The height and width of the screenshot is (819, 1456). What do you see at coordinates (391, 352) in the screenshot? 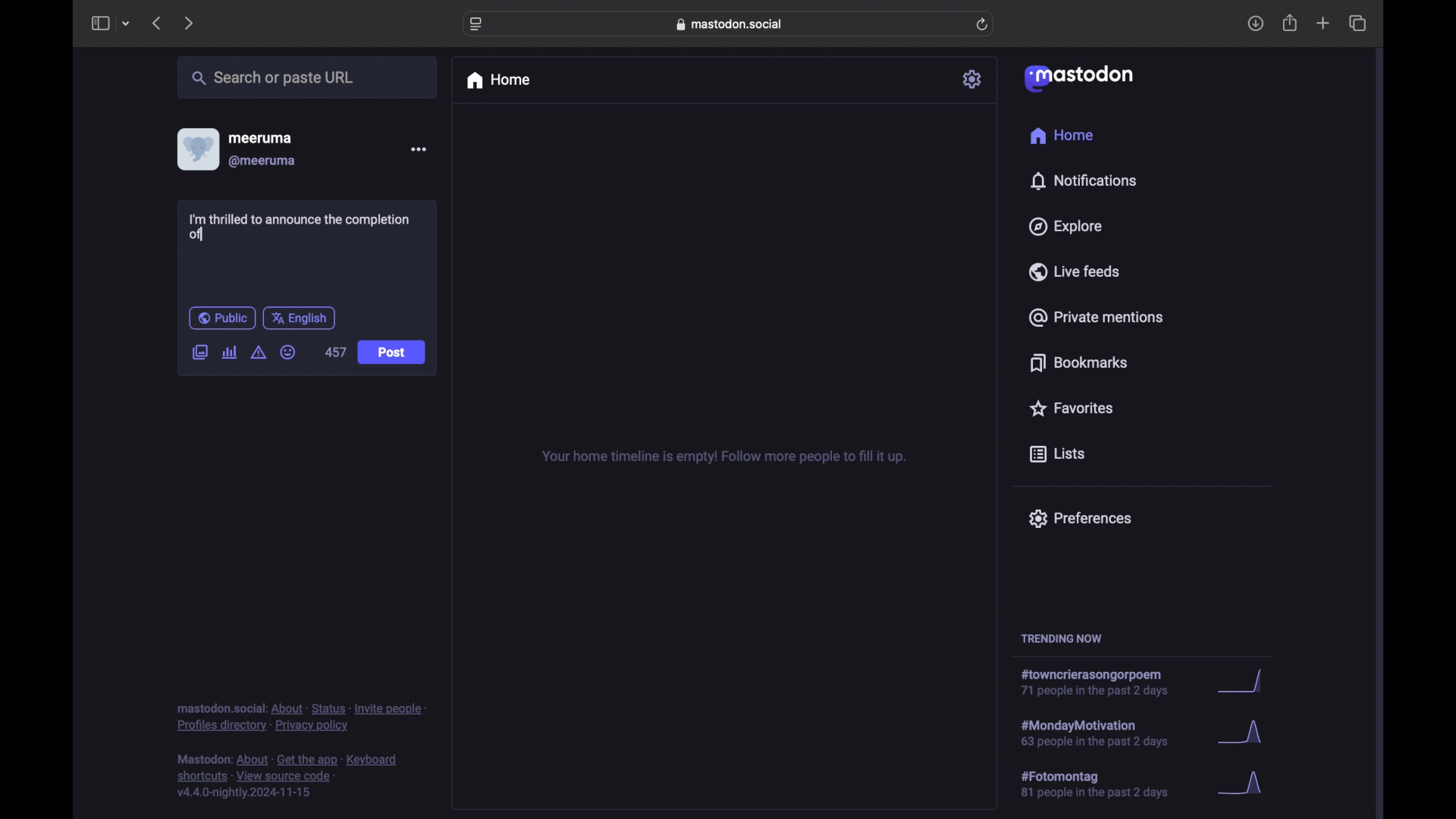
I see `post` at bounding box center [391, 352].